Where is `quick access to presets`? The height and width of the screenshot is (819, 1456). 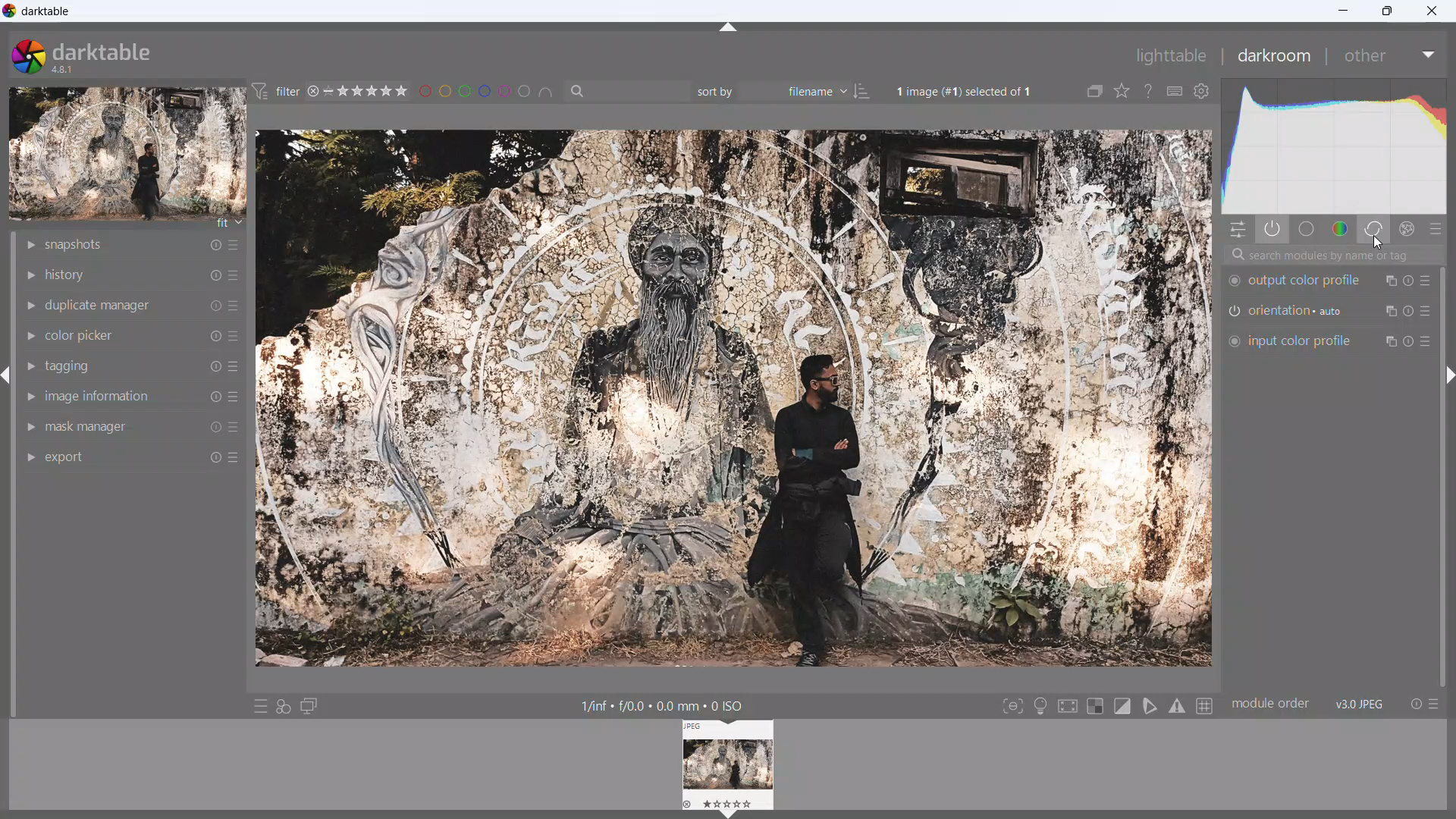 quick access to presets is located at coordinates (260, 706).